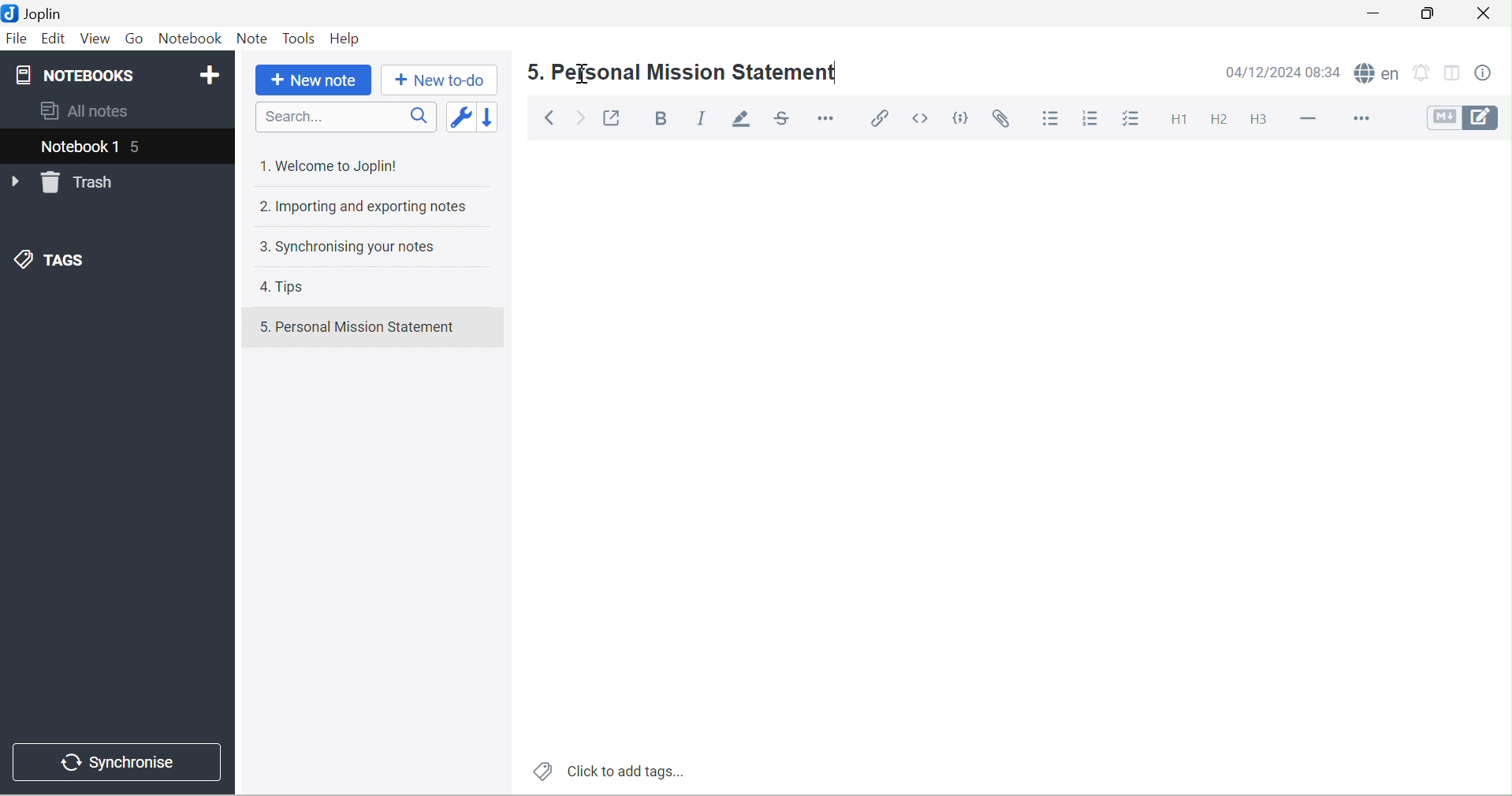  Describe the element at coordinates (1489, 16) in the screenshot. I see `Close` at that location.